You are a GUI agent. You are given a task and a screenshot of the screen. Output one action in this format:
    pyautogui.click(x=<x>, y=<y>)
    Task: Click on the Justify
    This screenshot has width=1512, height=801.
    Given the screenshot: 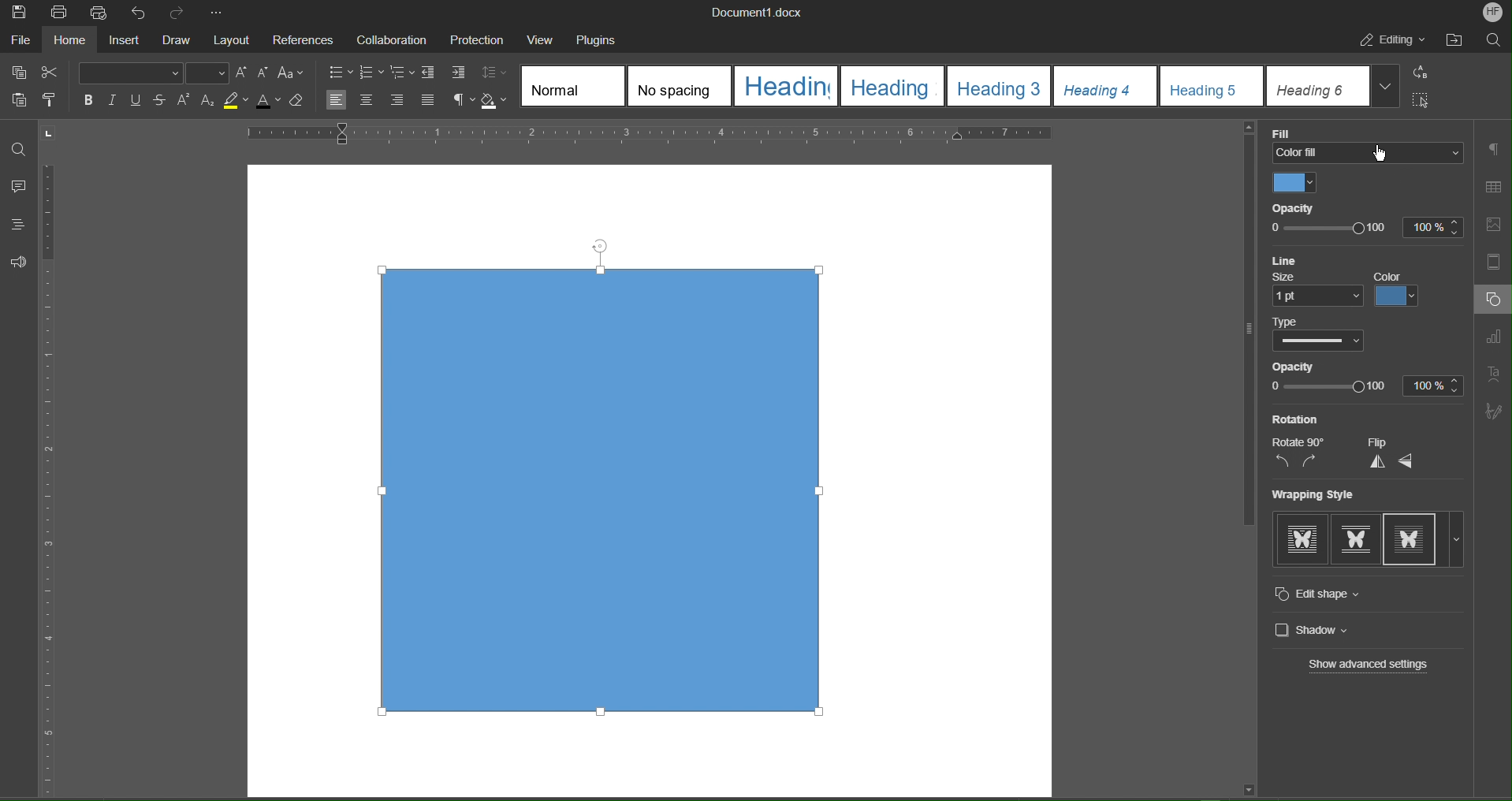 What is the action you would take?
    pyautogui.click(x=430, y=101)
    